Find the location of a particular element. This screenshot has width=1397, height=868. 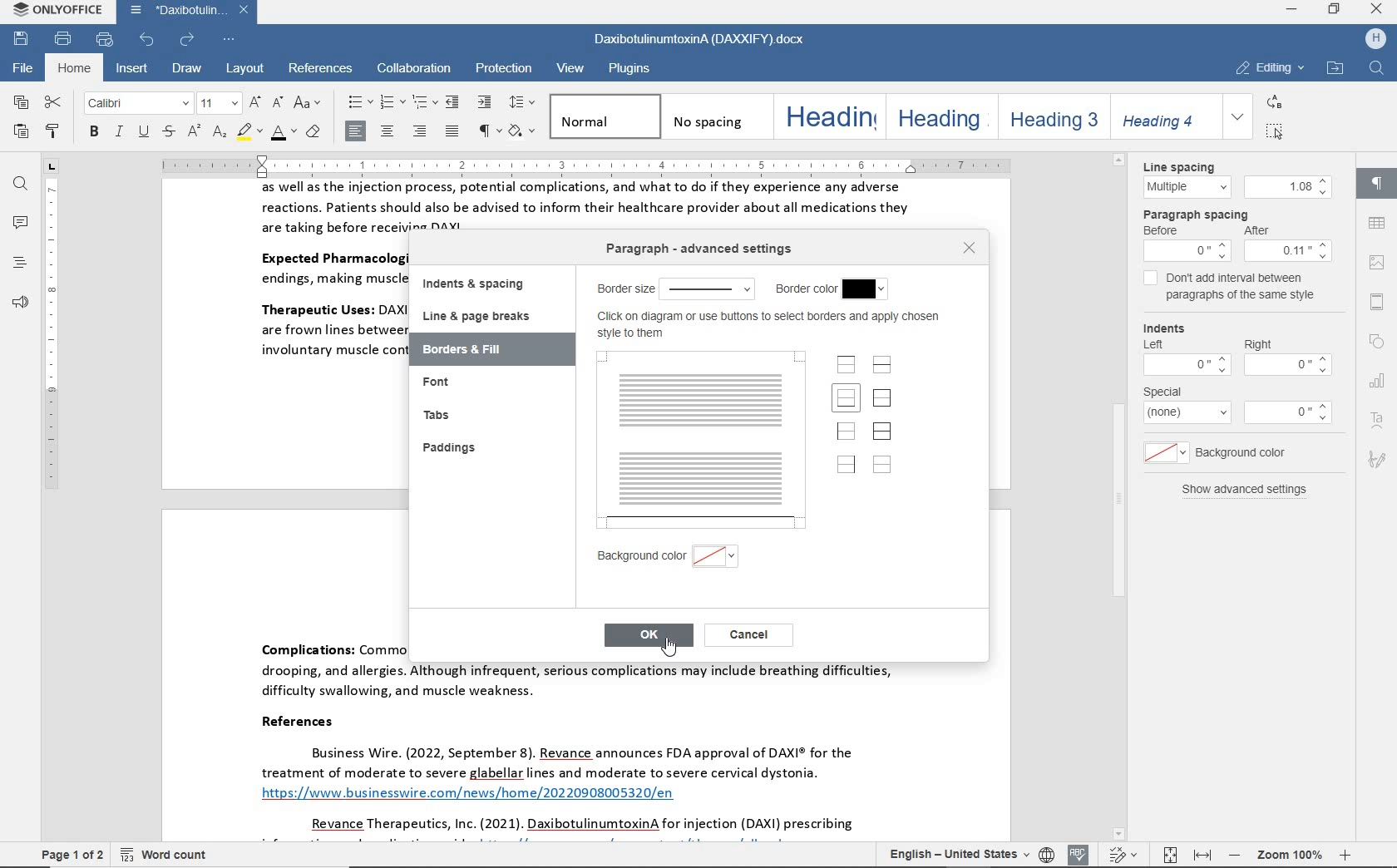

paddings is located at coordinates (452, 450).